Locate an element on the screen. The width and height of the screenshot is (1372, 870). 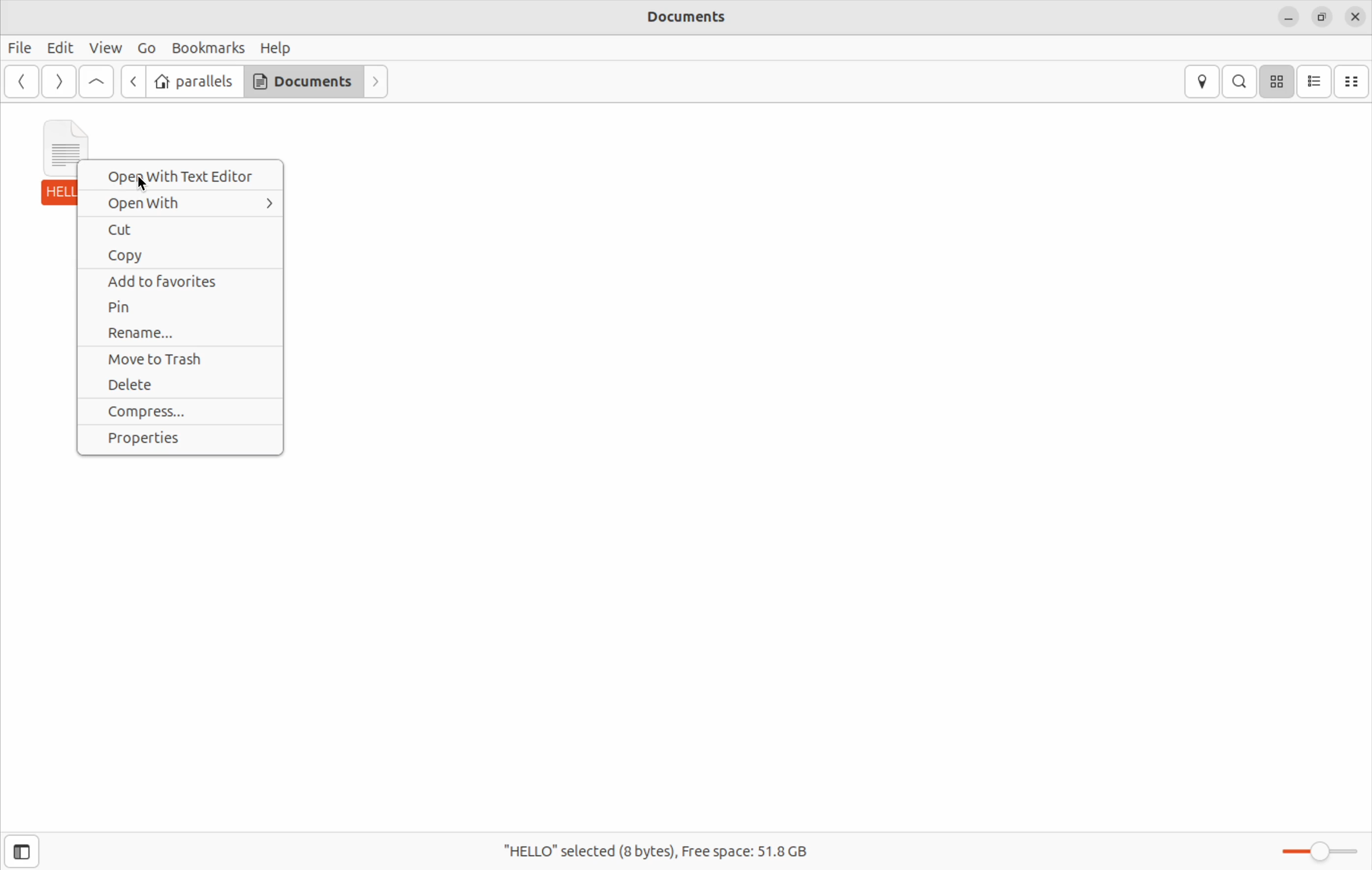
Zoom is located at coordinates (1316, 846).